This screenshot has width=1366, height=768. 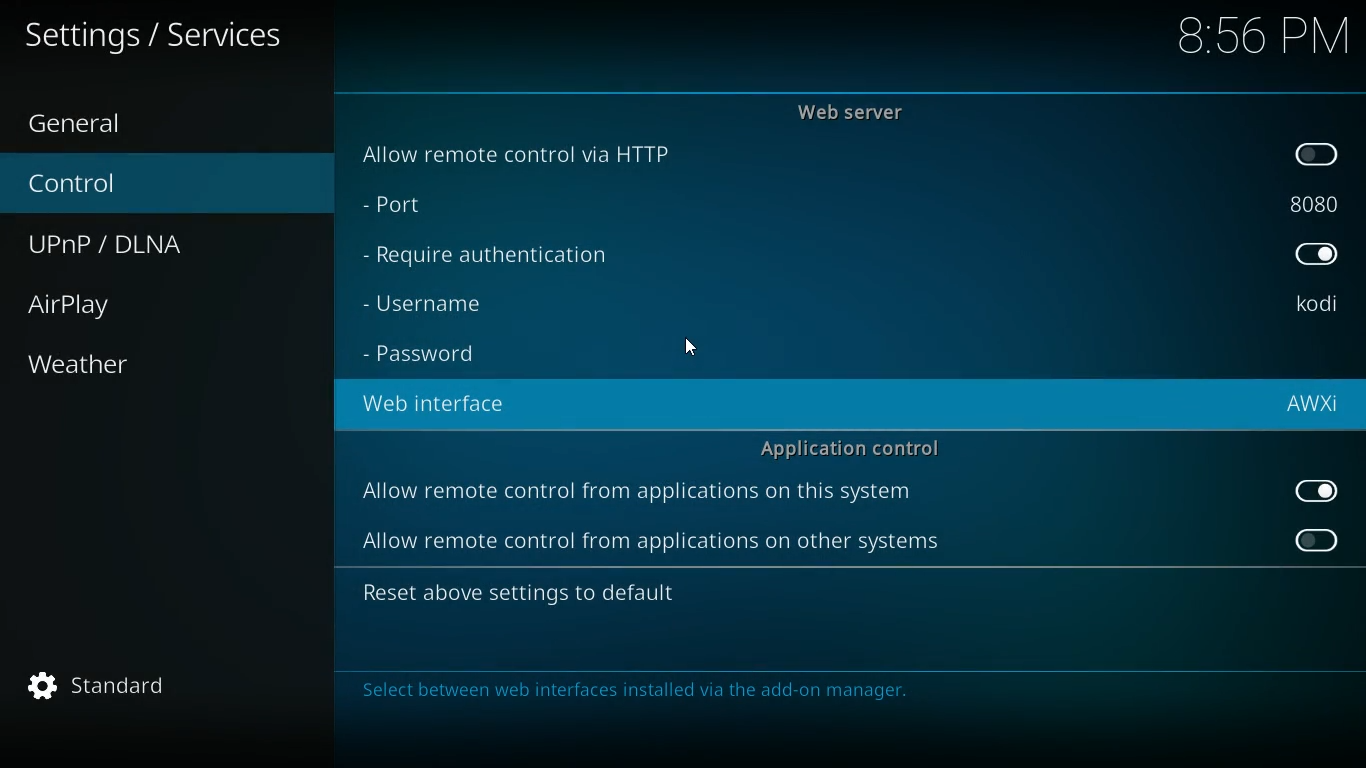 I want to click on on, so click(x=1316, y=257).